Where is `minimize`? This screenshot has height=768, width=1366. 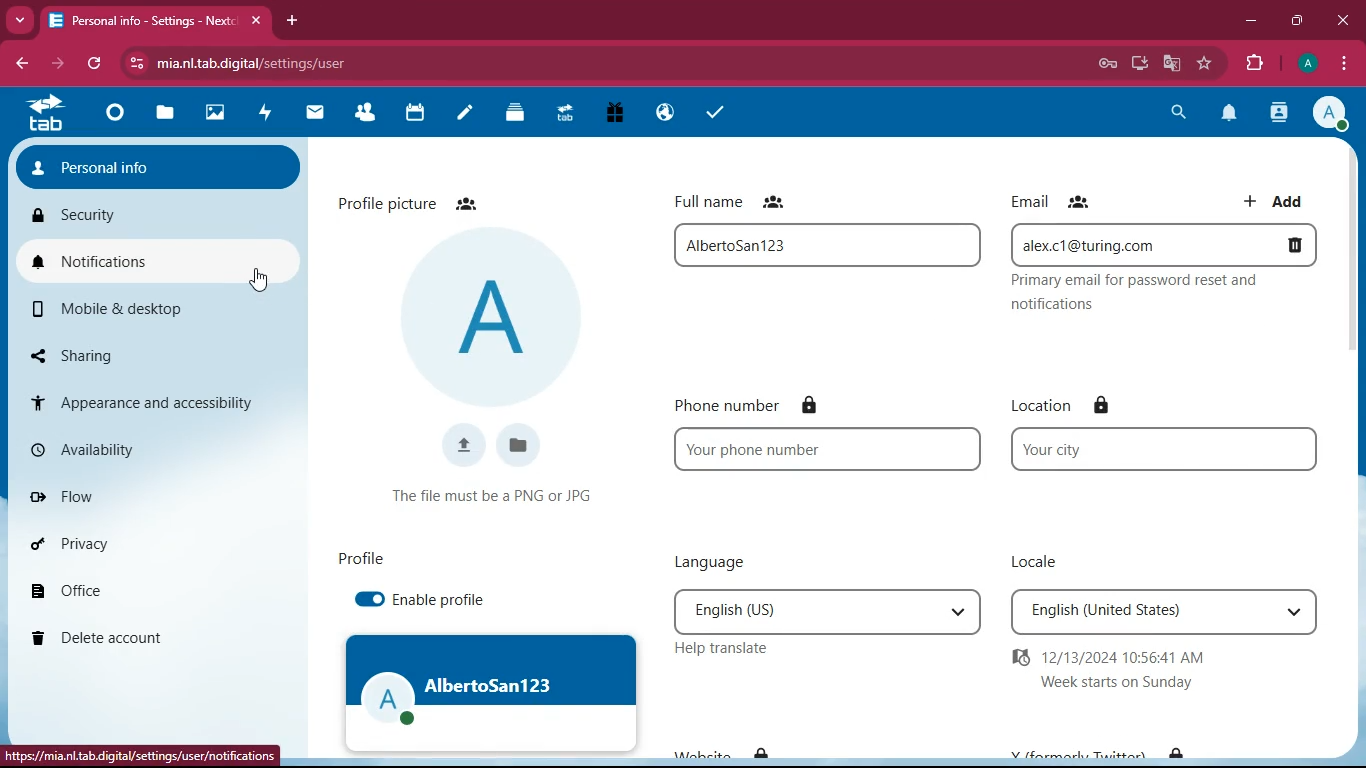 minimize is located at coordinates (1251, 22).